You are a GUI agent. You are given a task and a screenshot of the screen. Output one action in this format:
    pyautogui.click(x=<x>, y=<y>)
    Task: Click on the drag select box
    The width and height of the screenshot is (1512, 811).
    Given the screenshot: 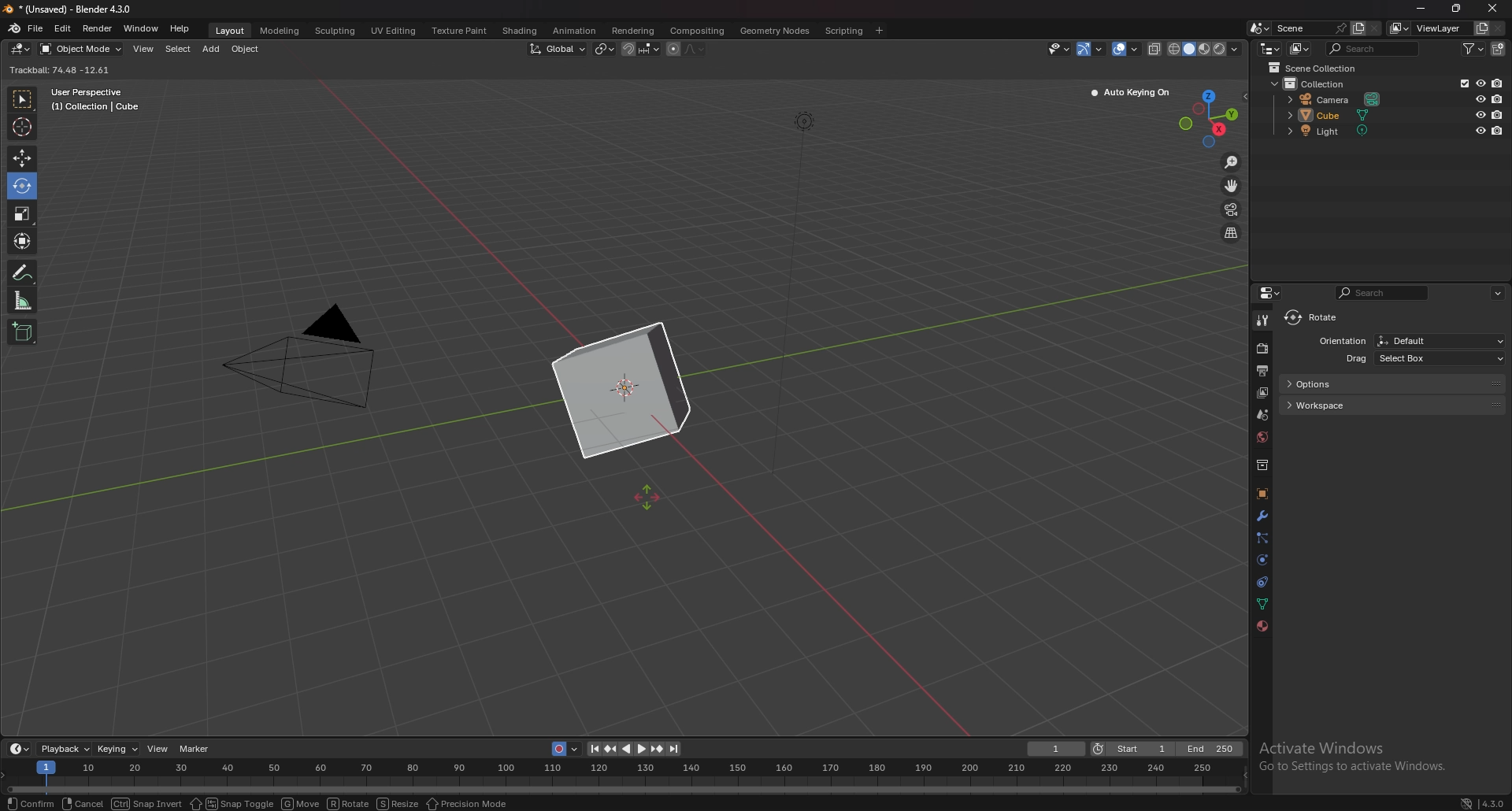 What is the action you would take?
    pyautogui.click(x=1412, y=359)
    